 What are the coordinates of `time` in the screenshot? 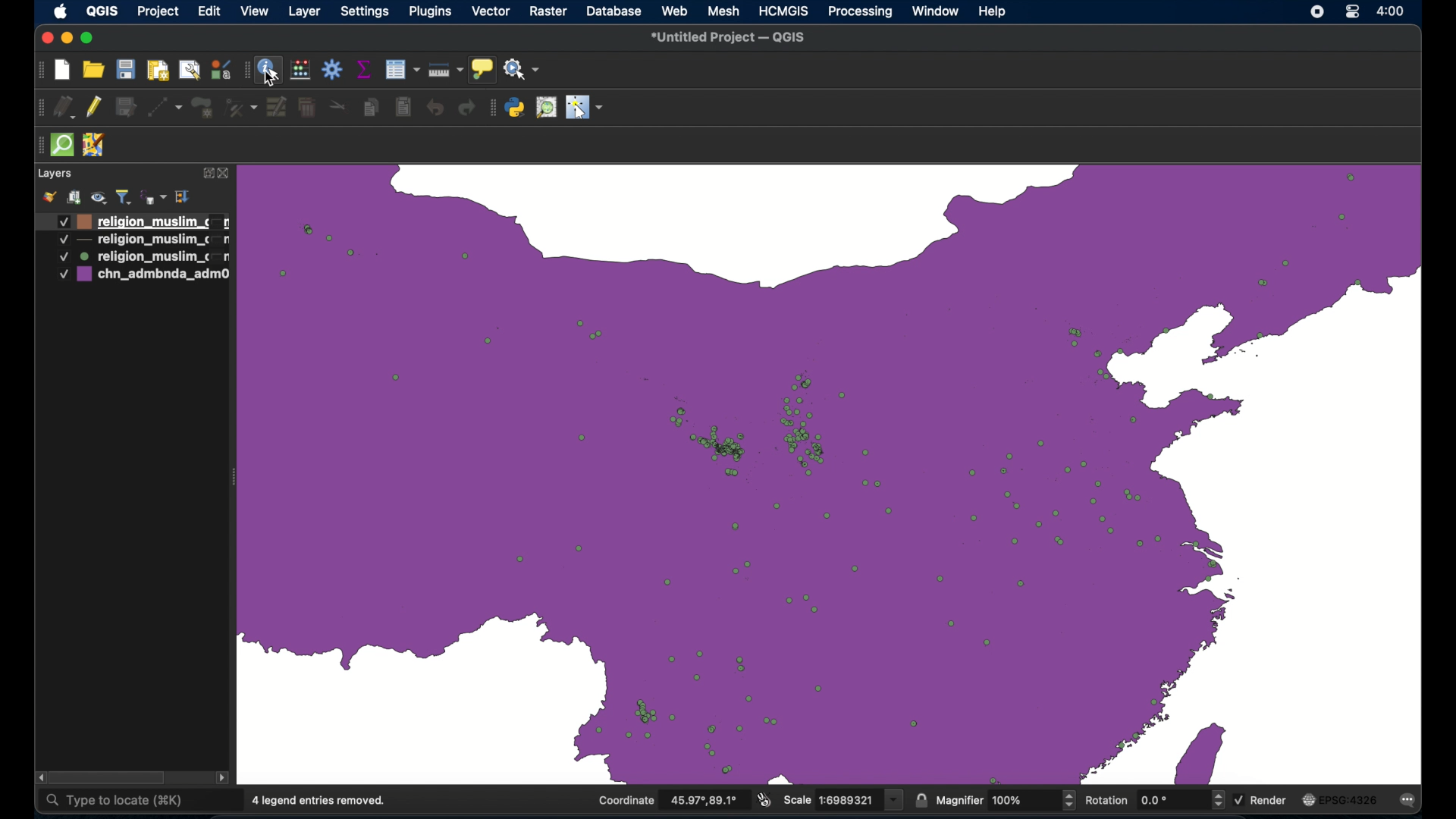 It's located at (1392, 12).